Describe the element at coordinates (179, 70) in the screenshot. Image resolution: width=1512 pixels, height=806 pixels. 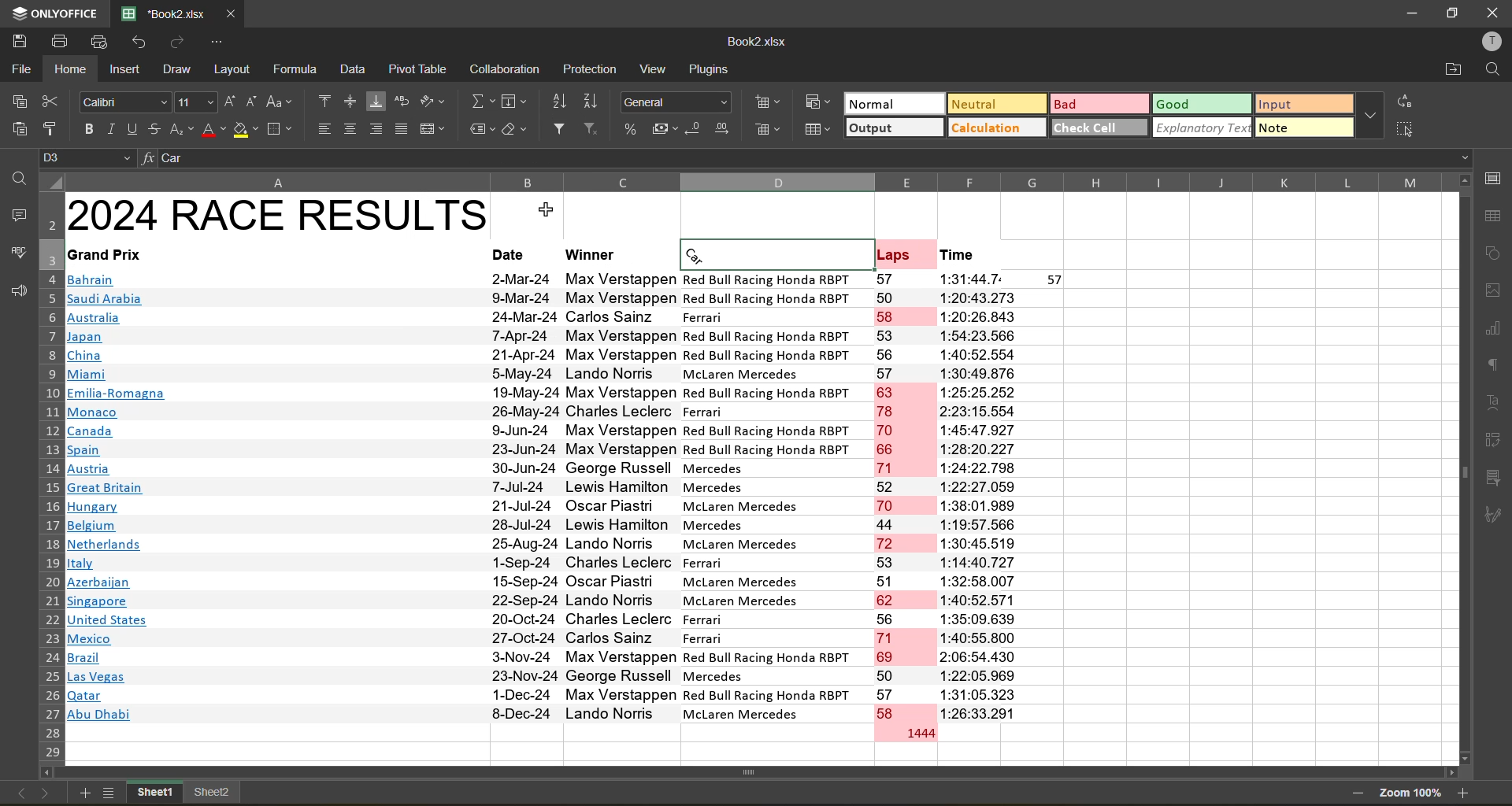
I see `draw` at that location.